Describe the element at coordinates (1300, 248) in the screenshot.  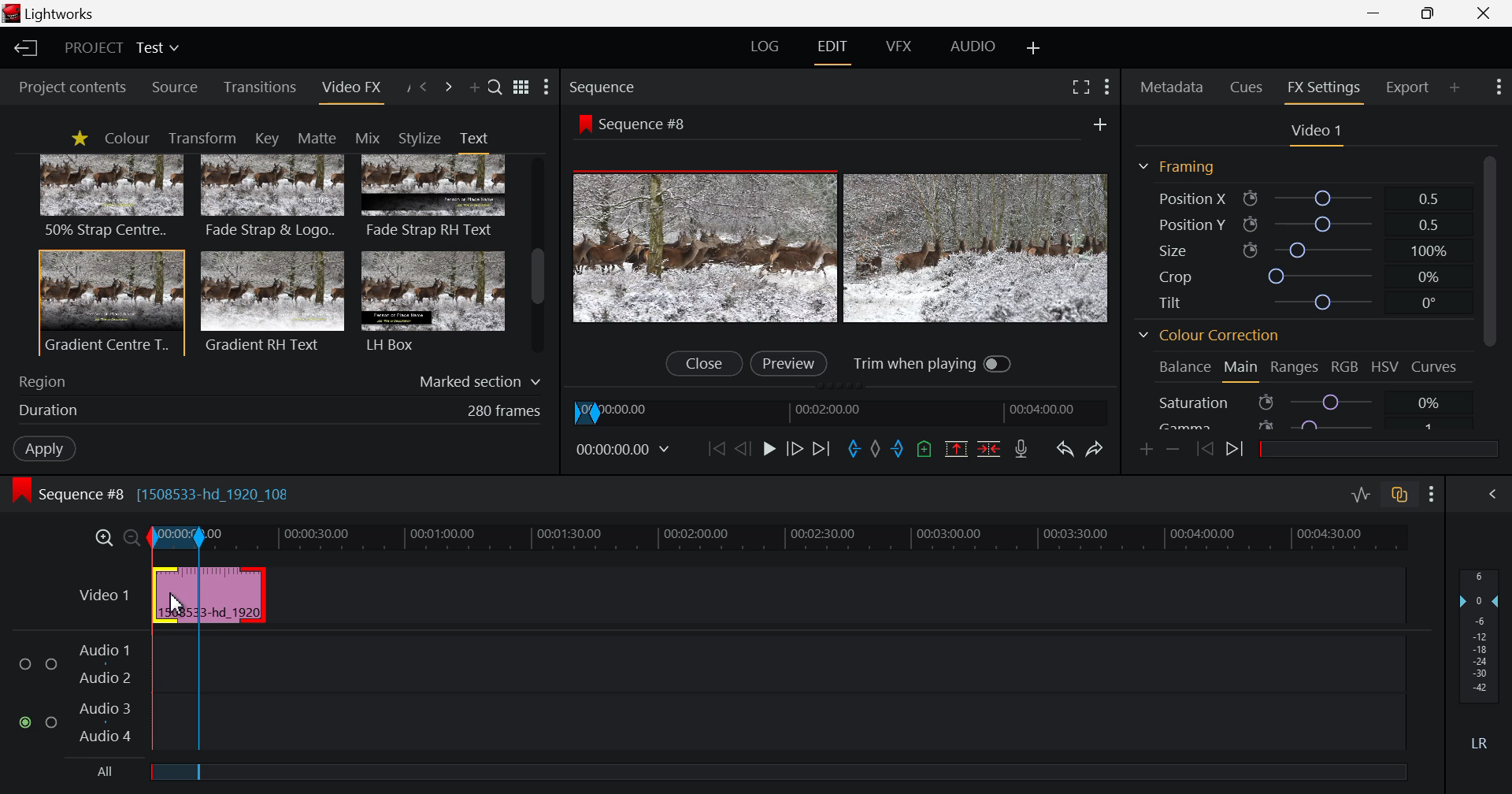
I see `Size` at that location.